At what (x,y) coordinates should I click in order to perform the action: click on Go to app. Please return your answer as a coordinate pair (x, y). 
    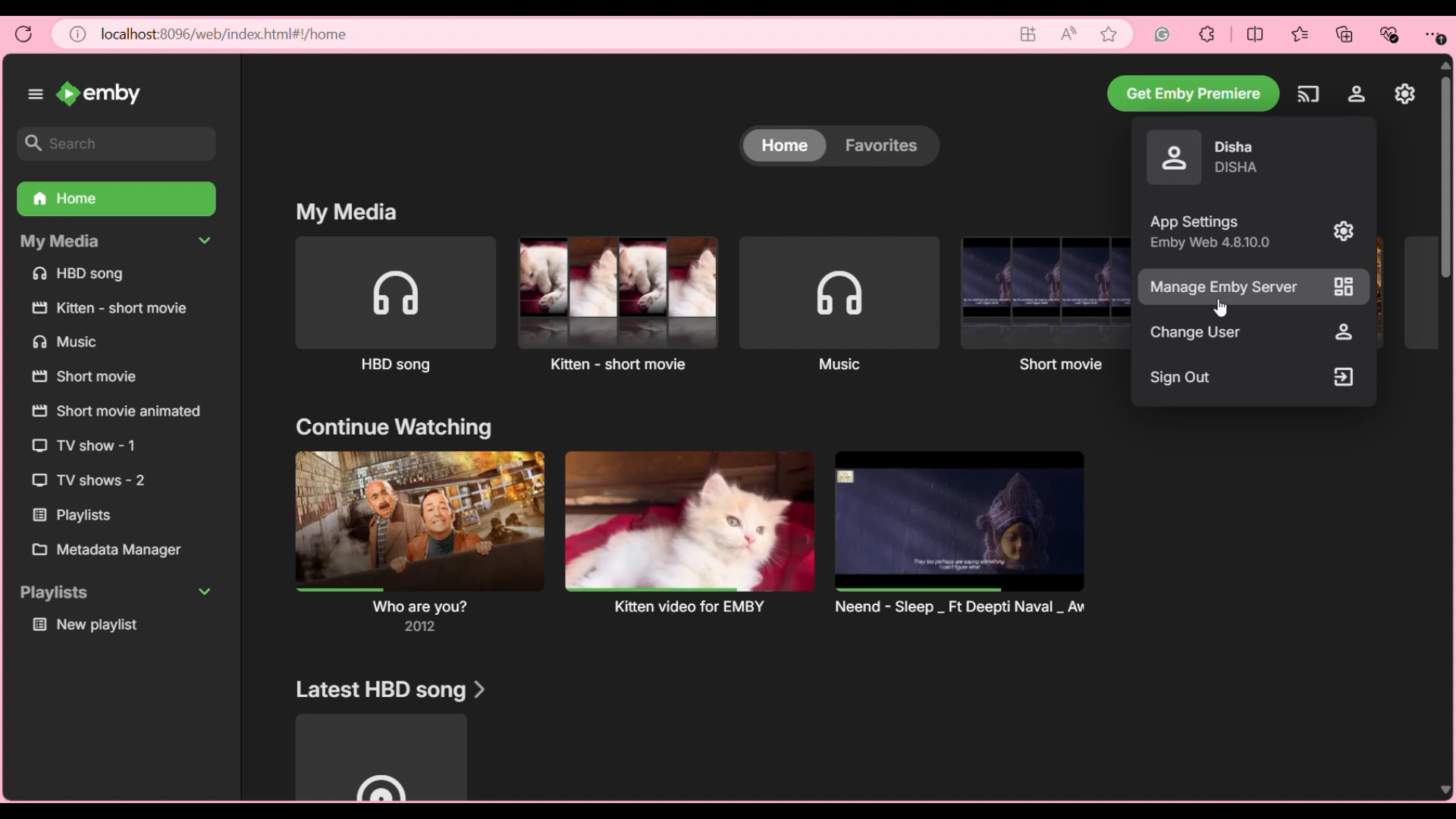
    Looking at the image, I should click on (1029, 34).